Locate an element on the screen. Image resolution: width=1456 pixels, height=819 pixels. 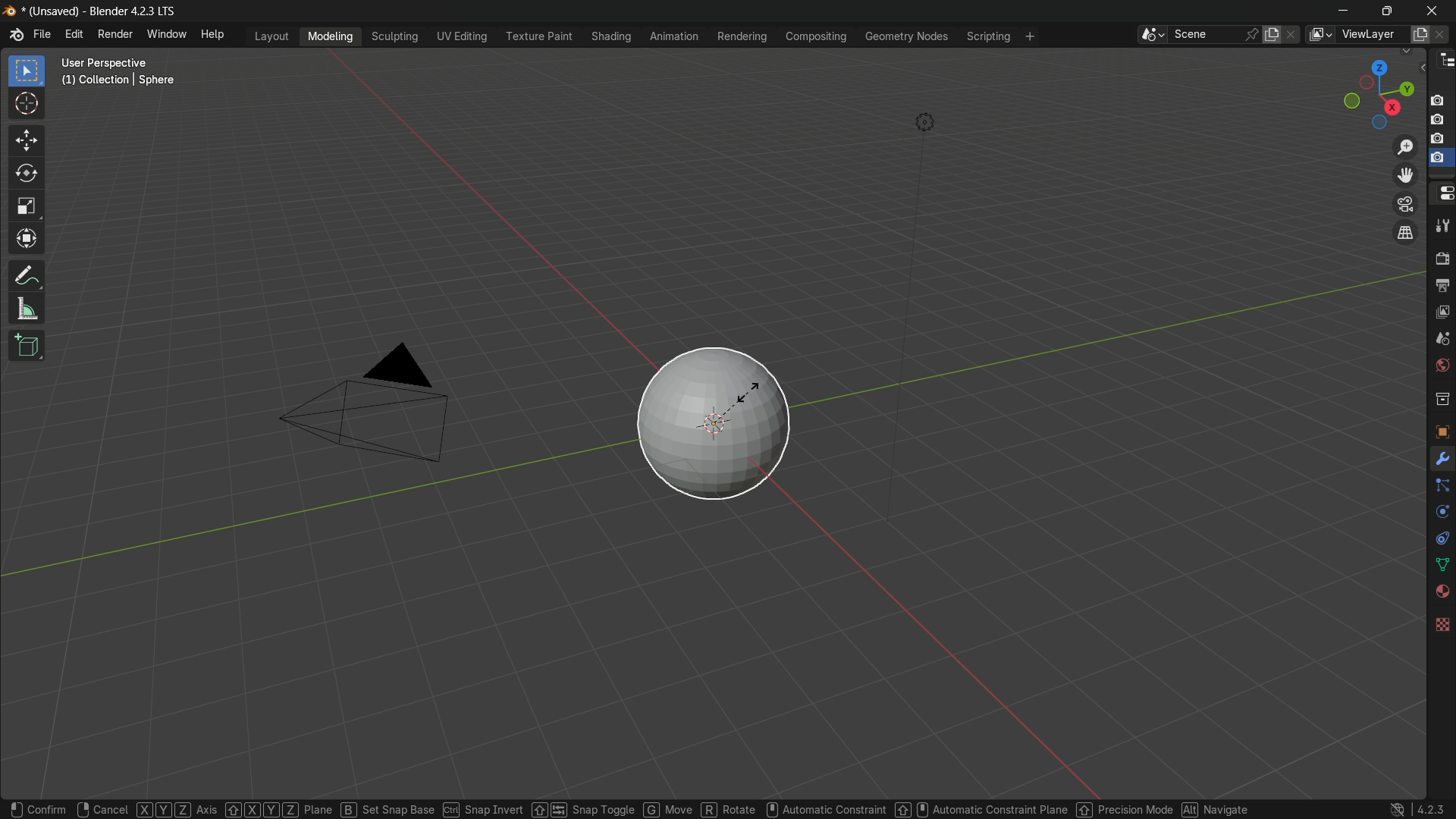
data is located at coordinates (1441, 563).